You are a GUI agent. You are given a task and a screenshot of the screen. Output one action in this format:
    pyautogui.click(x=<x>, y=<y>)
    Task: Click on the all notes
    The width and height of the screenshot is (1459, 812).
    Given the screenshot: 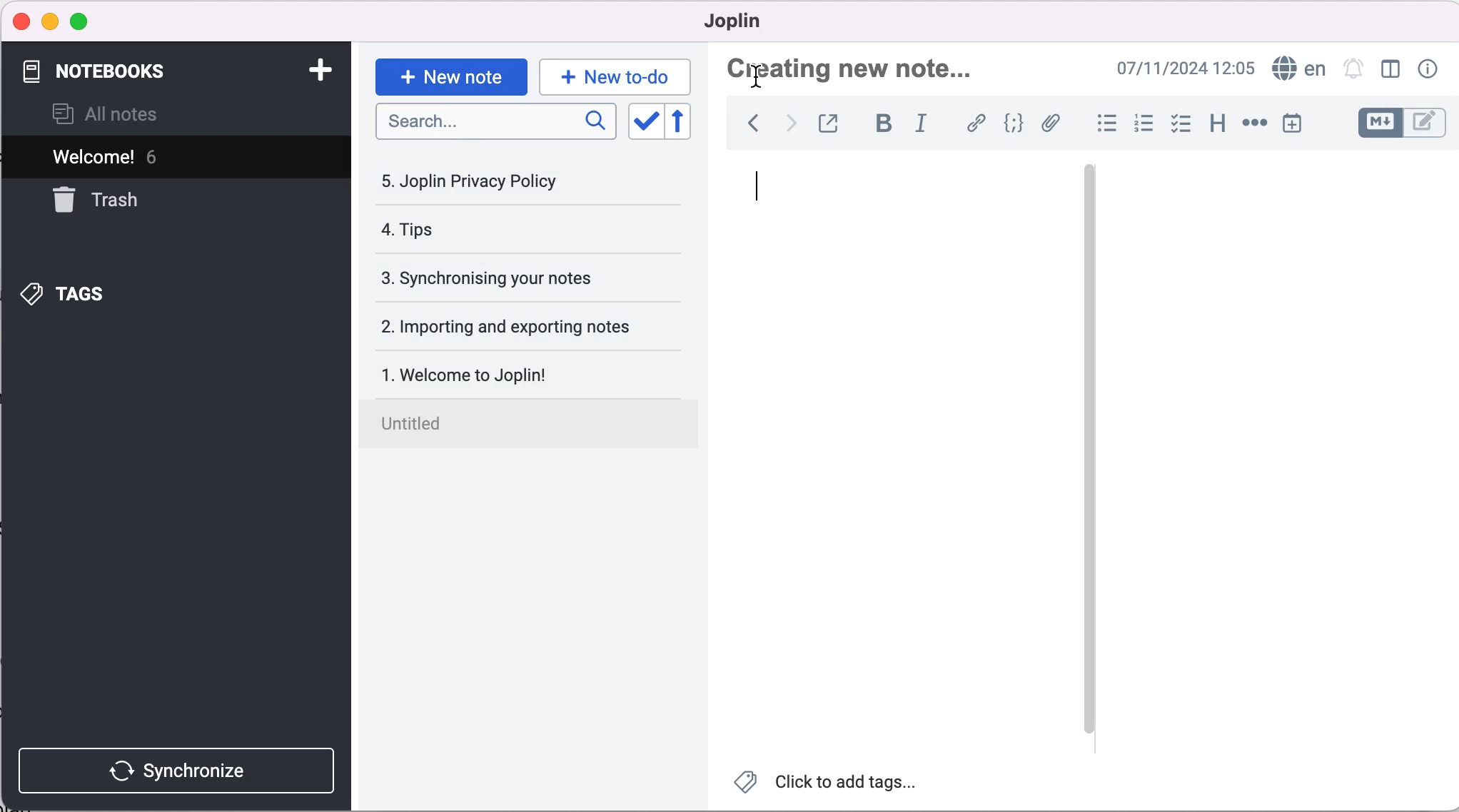 What is the action you would take?
    pyautogui.click(x=118, y=116)
    